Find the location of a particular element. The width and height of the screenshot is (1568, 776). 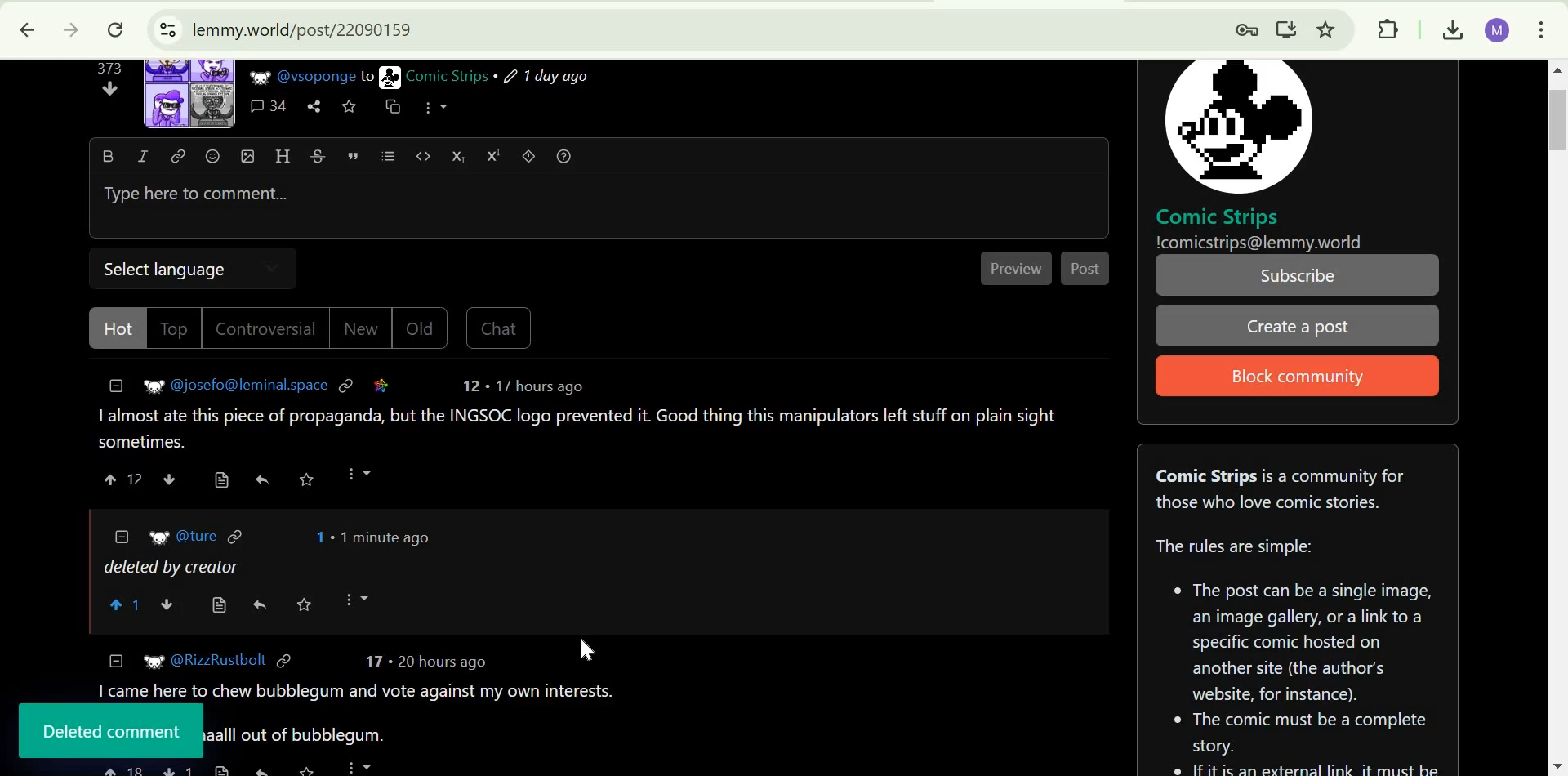

more options is located at coordinates (435, 106).